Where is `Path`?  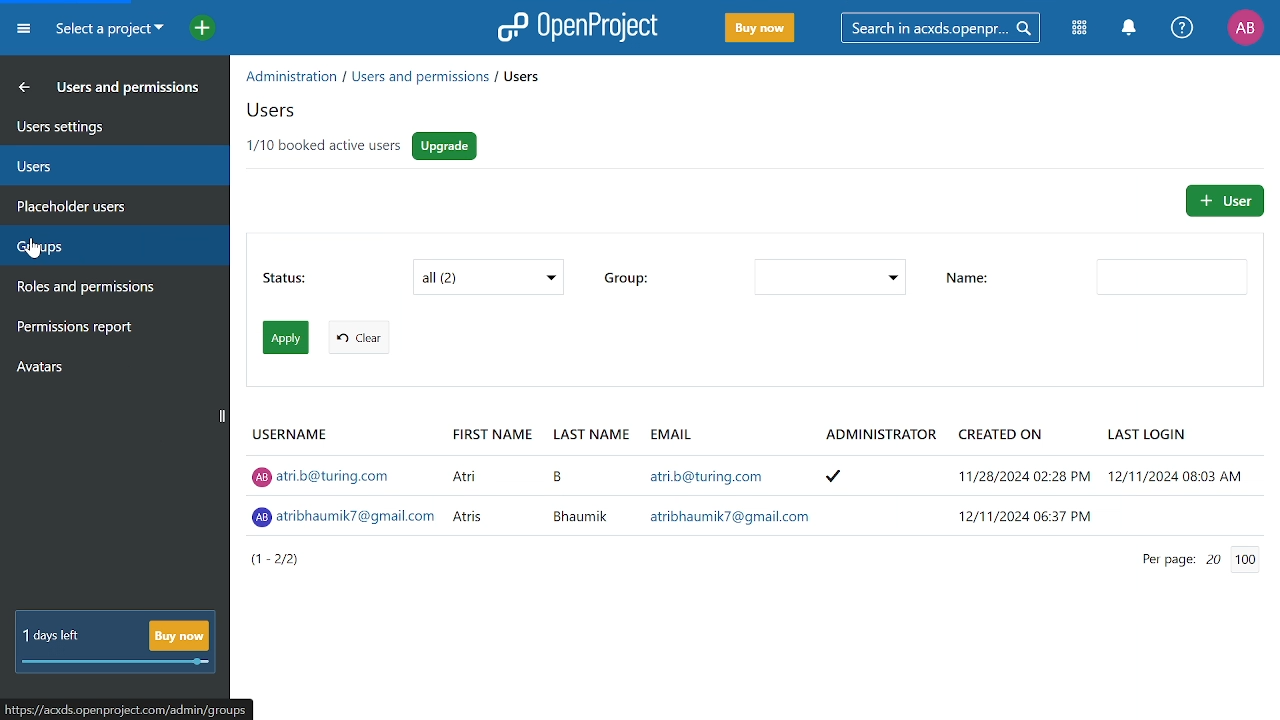
Path is located at coordinates (408, 79).